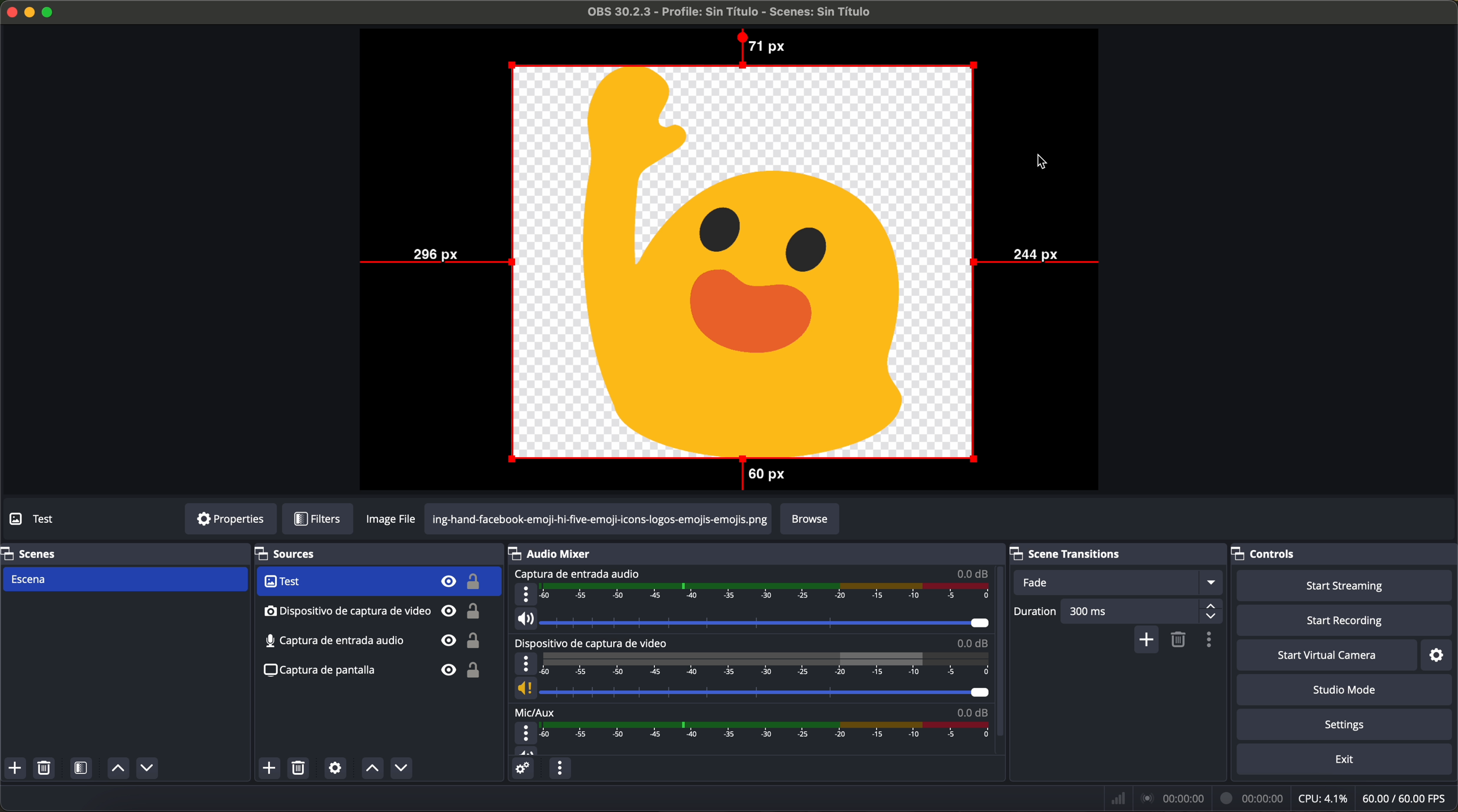 This screenshot has height=812, width=1458. What do you see at coordinates (769, 731) in the screenshot?
I see `timeline` at bounding box center [769, 731].